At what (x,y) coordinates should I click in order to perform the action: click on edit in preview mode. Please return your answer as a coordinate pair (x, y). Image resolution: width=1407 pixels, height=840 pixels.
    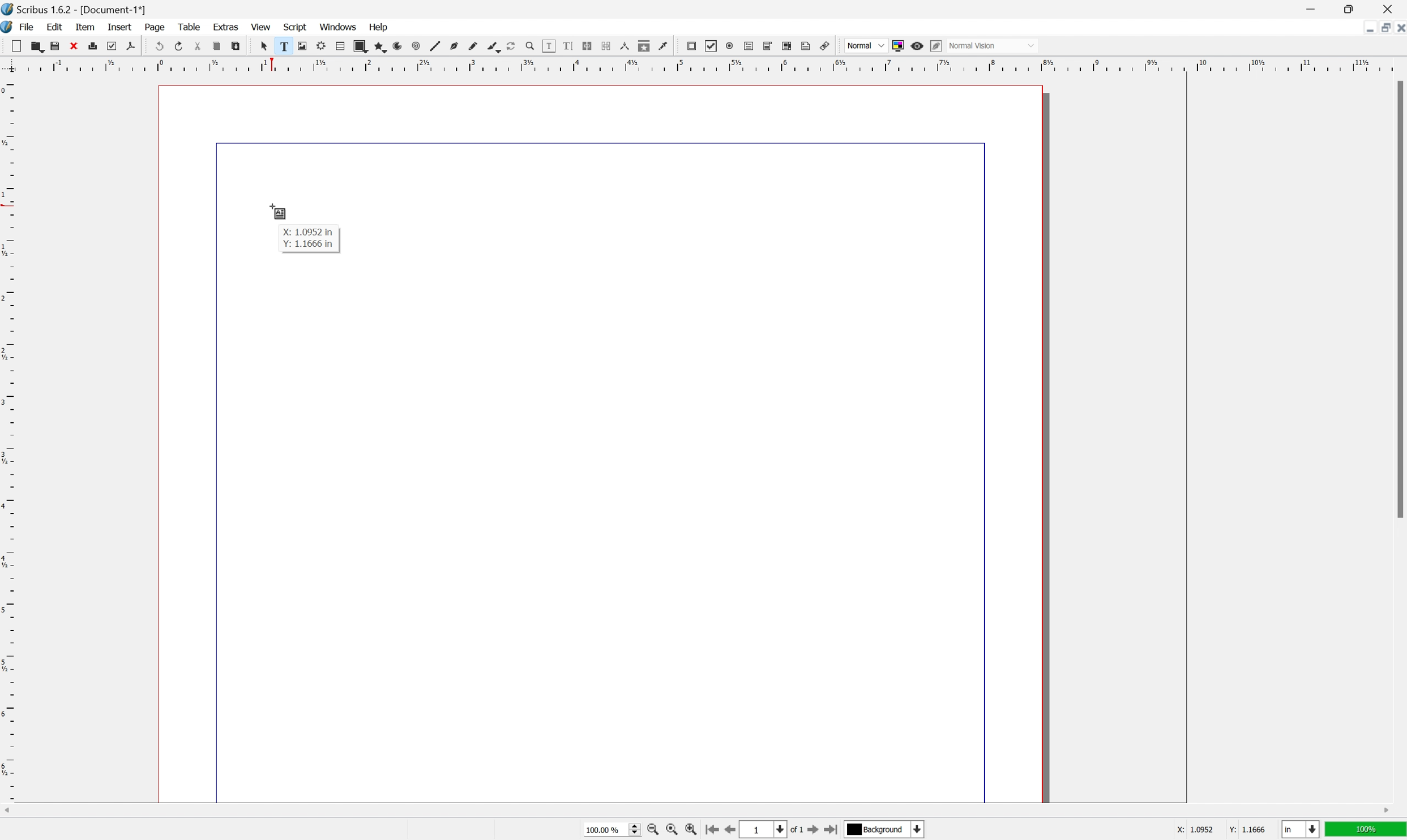
    Looking at the image, I should click on (935, 45).